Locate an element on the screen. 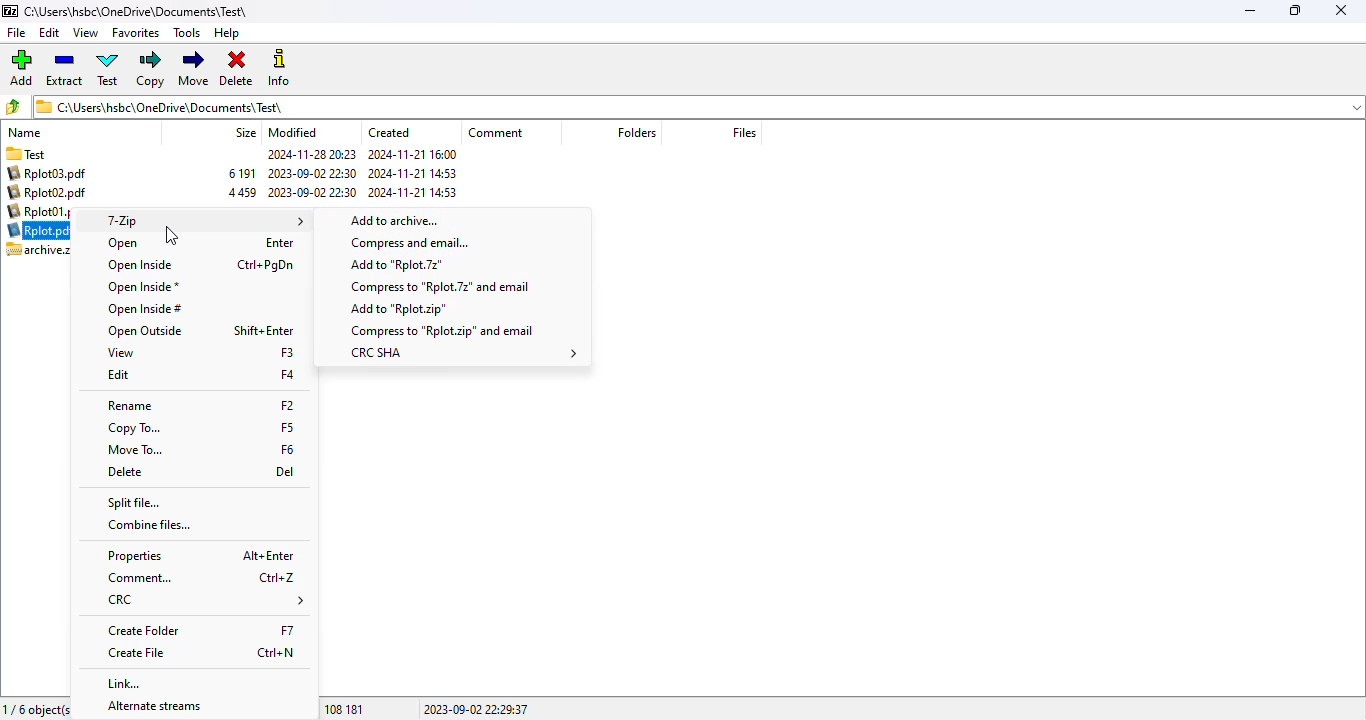 The height and width of the screenshot is (720, 1366). compress to .zip file and email is located at coordinates (443, 330).